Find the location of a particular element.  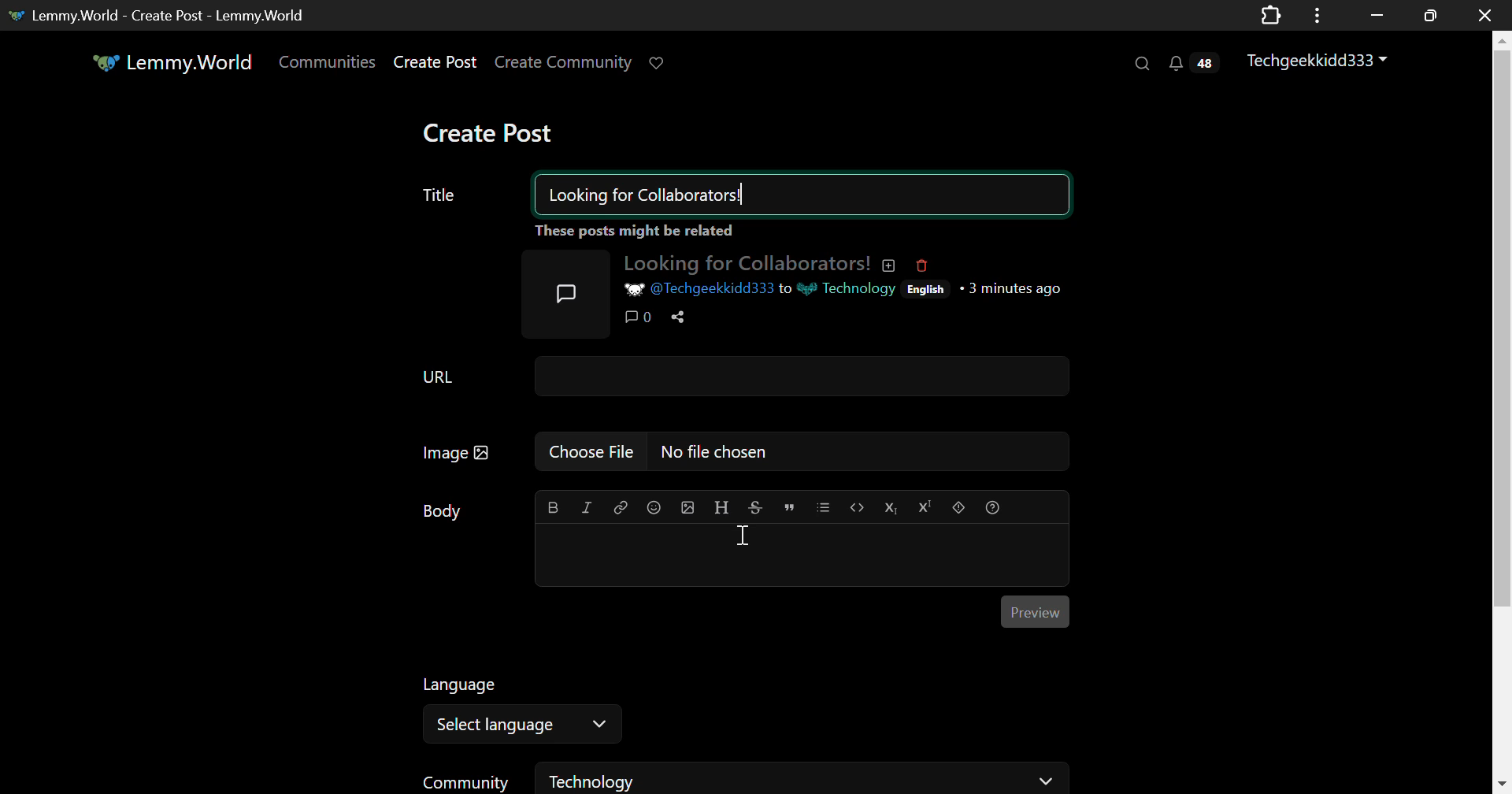

superscript is located at coordinates (925, 506).